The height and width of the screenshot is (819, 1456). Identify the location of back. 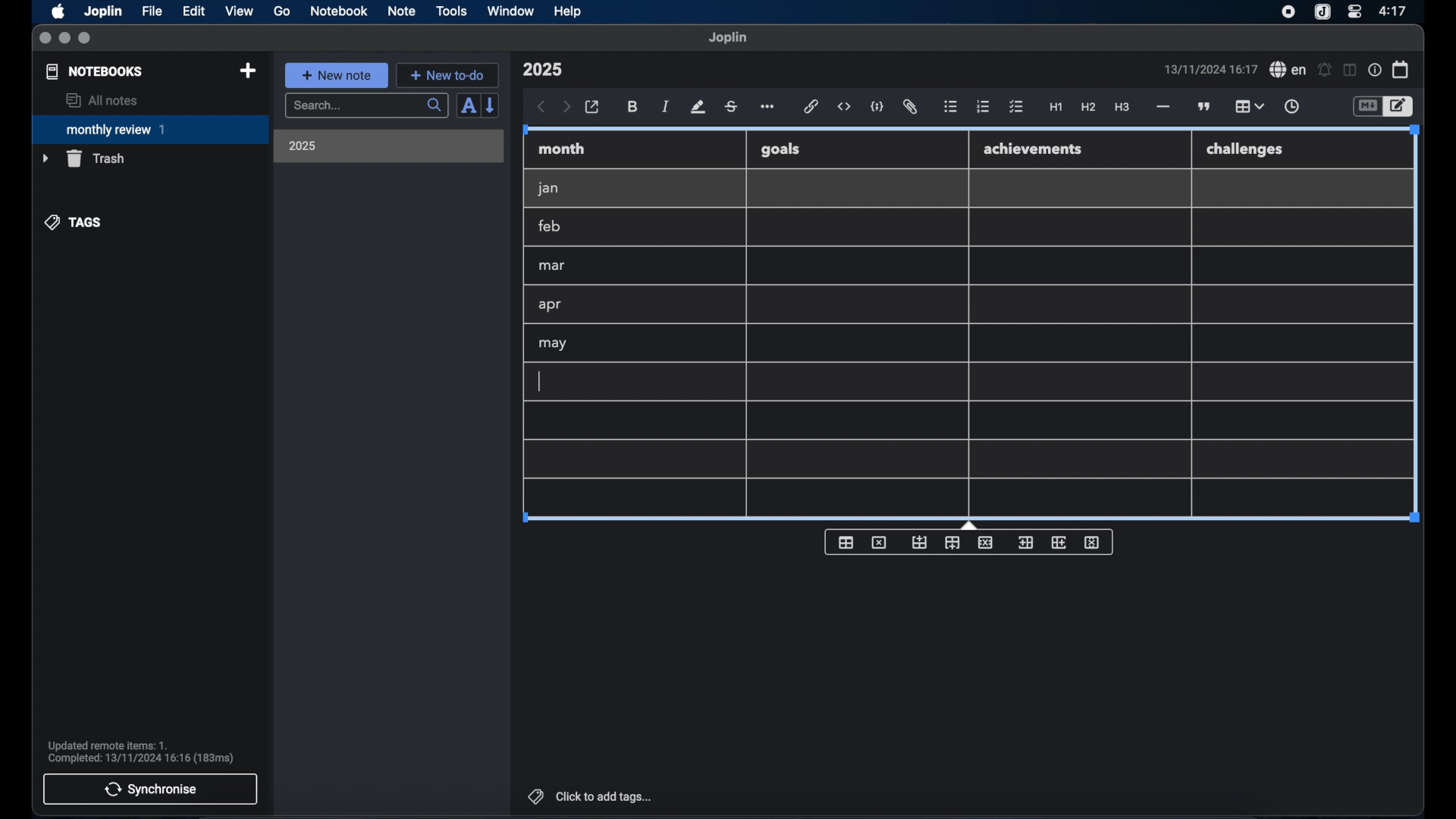
(541, 107).